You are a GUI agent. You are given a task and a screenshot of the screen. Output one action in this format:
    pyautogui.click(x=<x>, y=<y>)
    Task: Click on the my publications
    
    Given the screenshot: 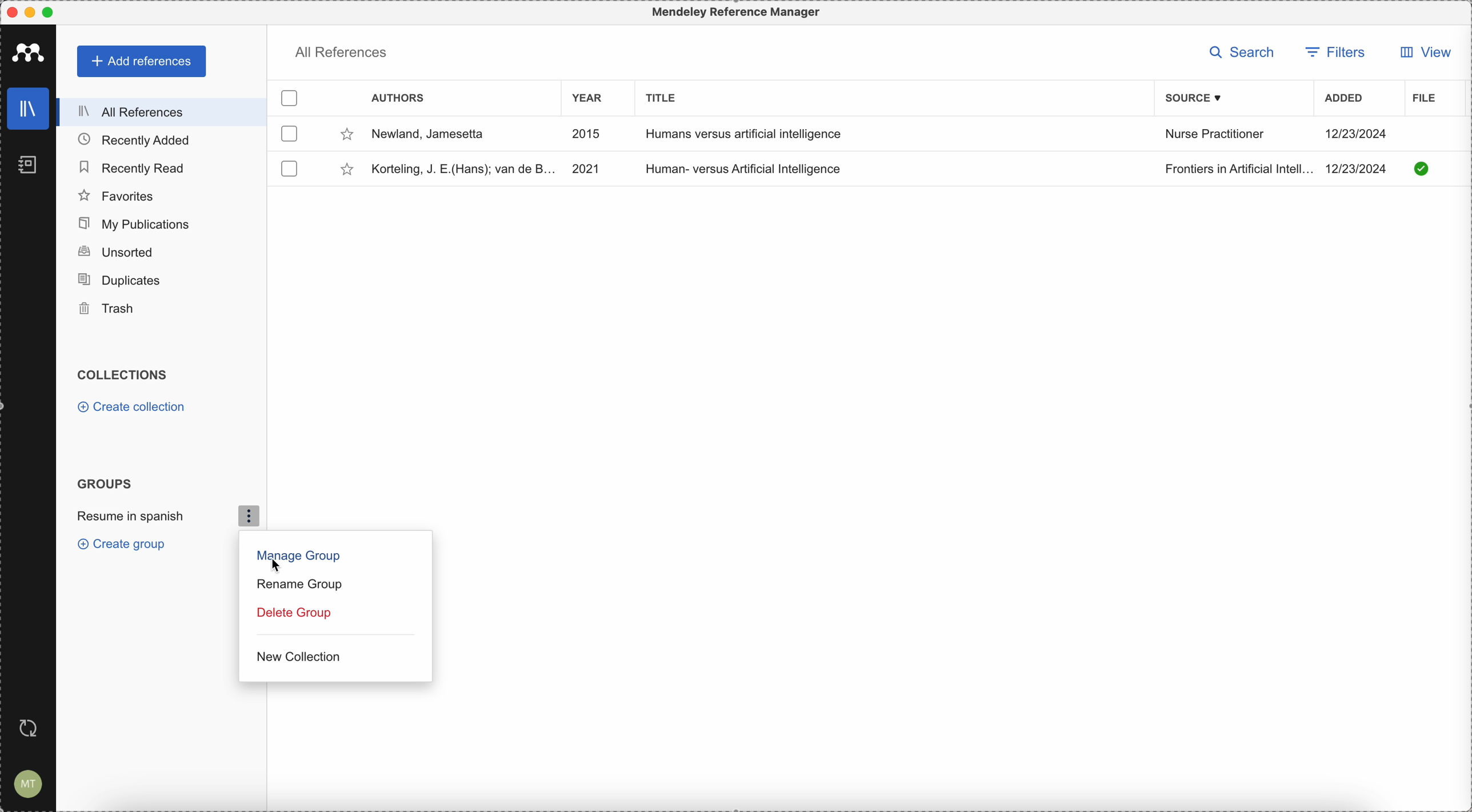 What is the action you would take?
    pyautogui.click(x=137, y=221)
    